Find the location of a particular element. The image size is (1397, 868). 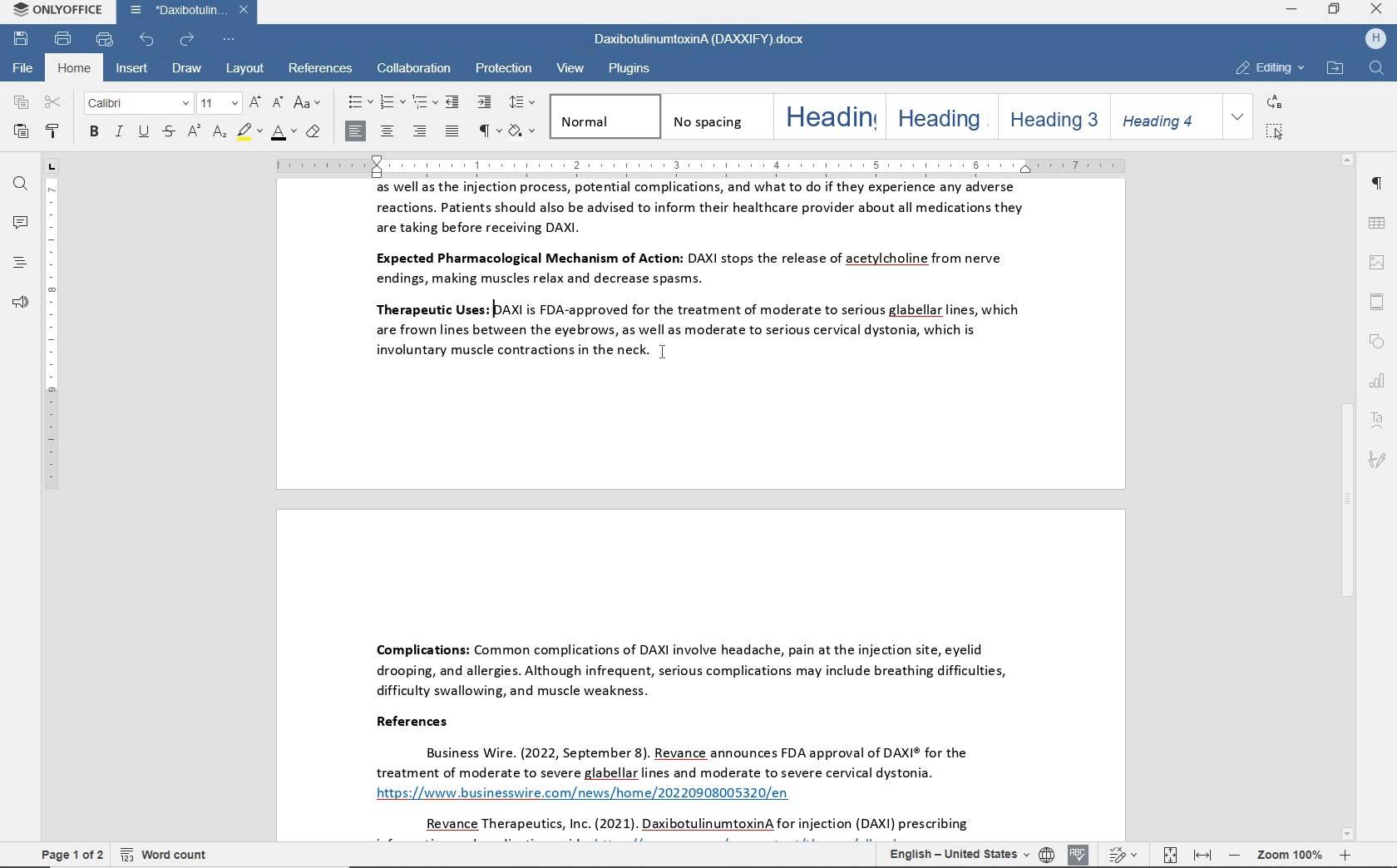

bullets is located at coordinates (358, 103).